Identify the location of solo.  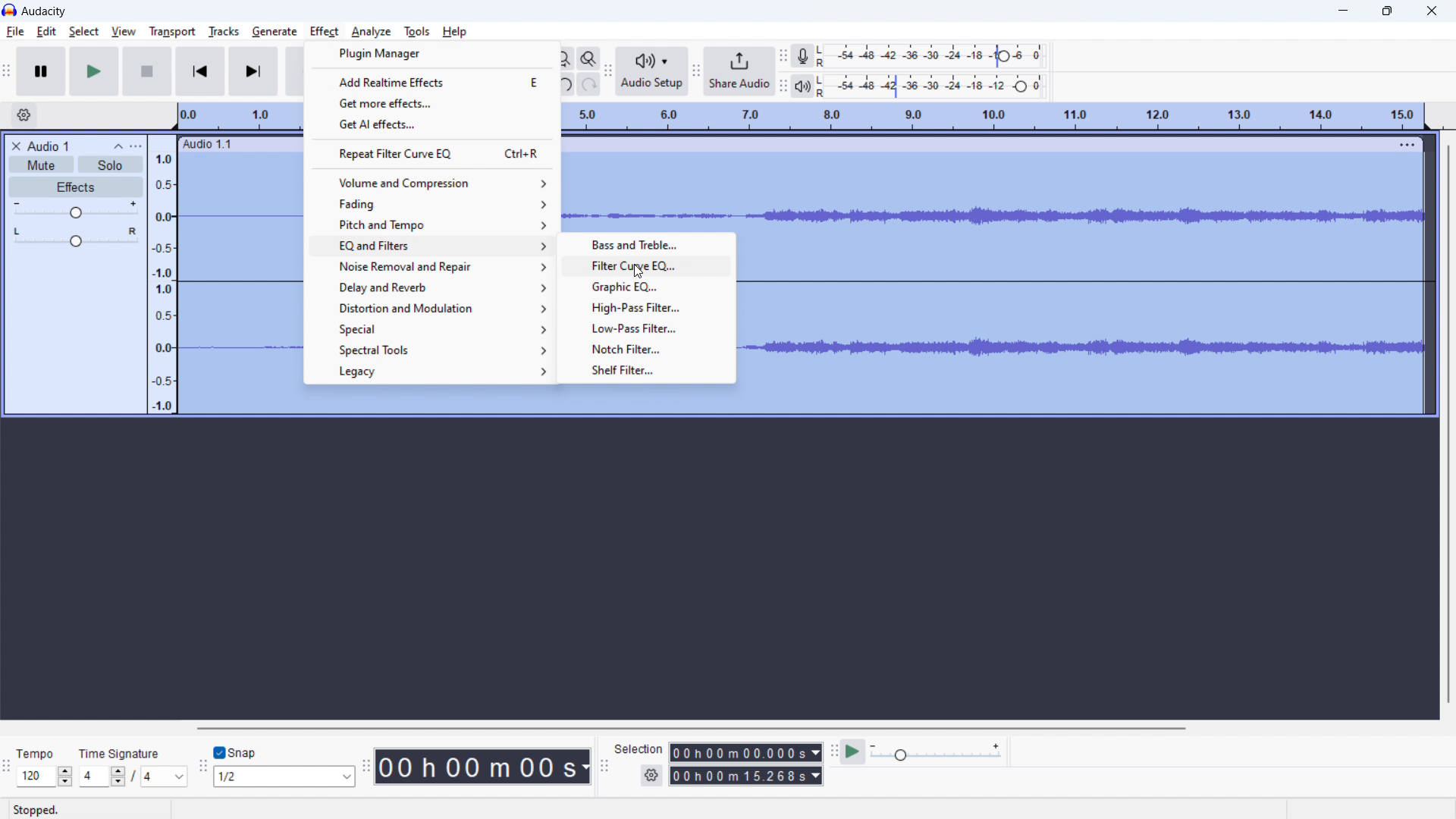
(110, 165).